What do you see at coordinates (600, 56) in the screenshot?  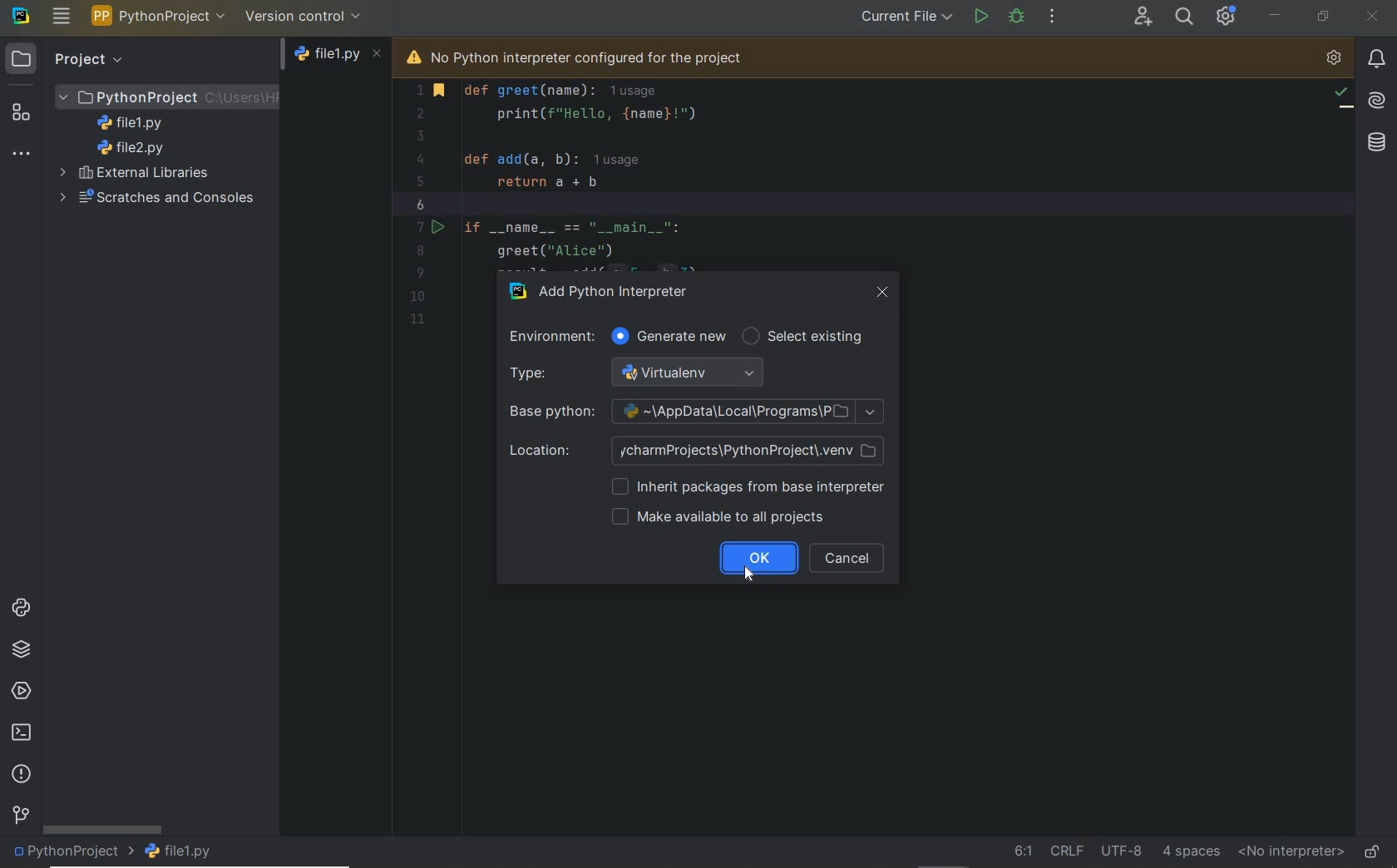 I see `No python interpreter configured for the project` at bounding box center [600, 56].